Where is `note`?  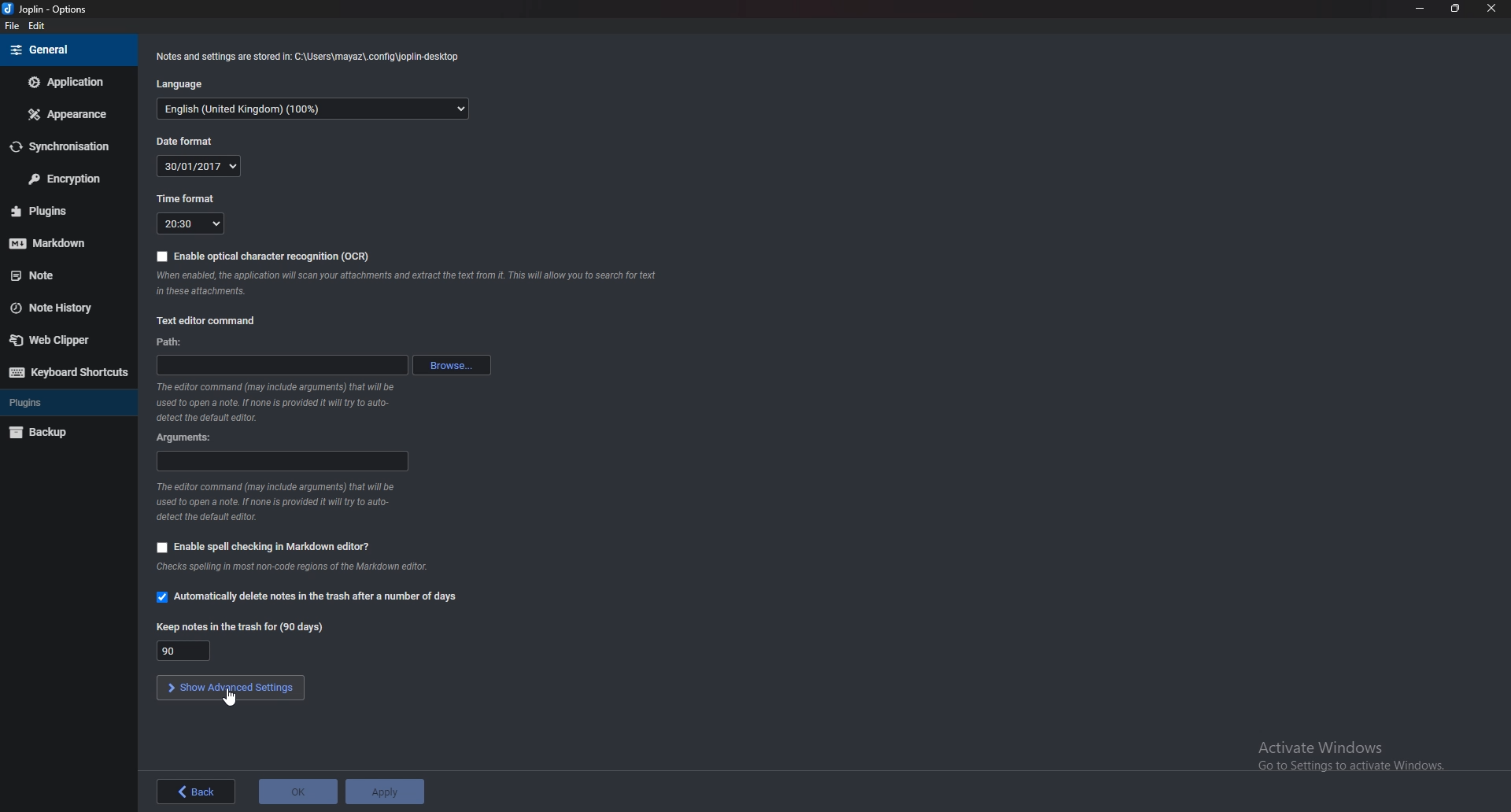
note is located at coordinates (54, 275).